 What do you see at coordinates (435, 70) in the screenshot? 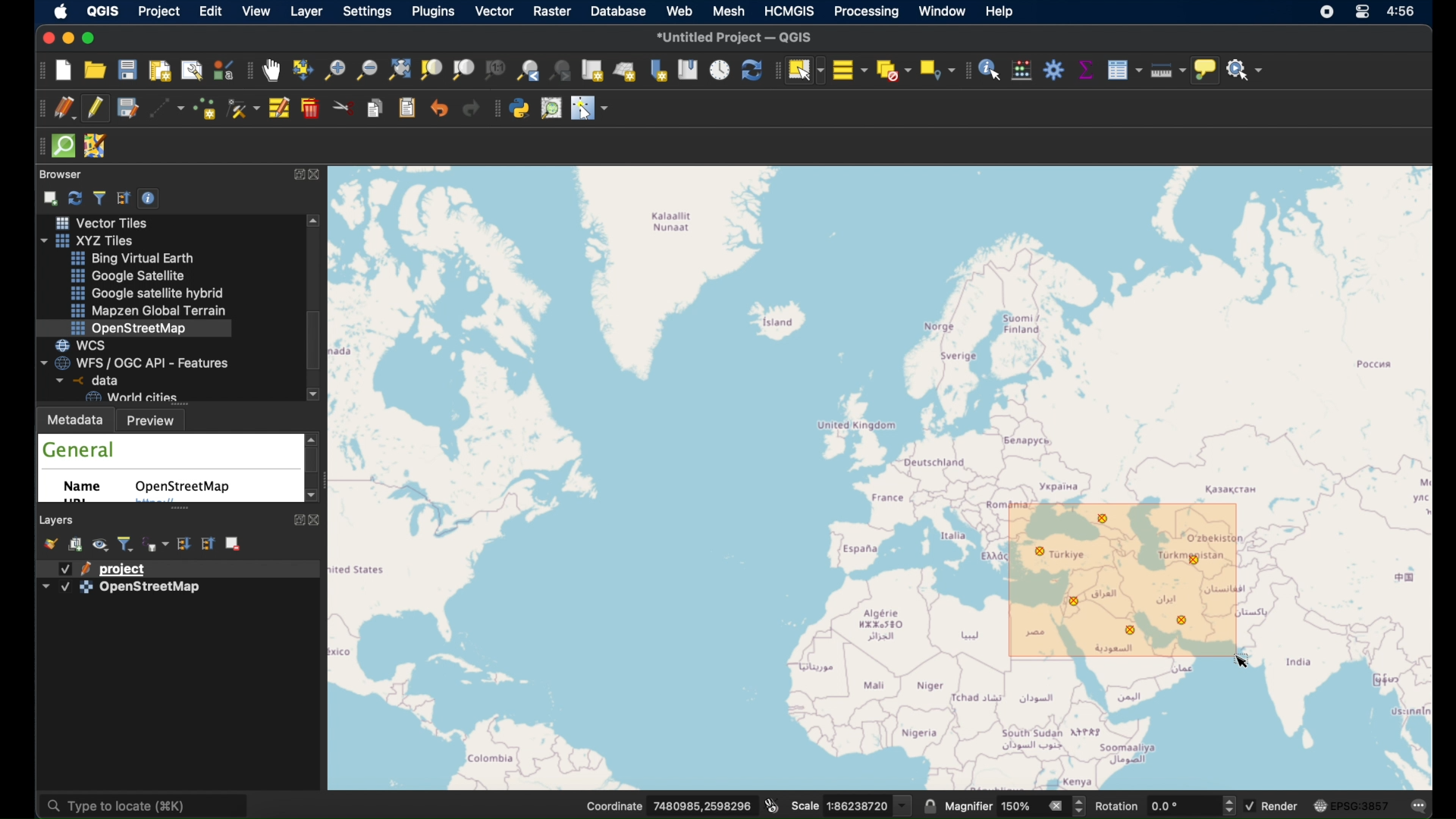
I see `zoom to selection` at bounding box center [435, 70].